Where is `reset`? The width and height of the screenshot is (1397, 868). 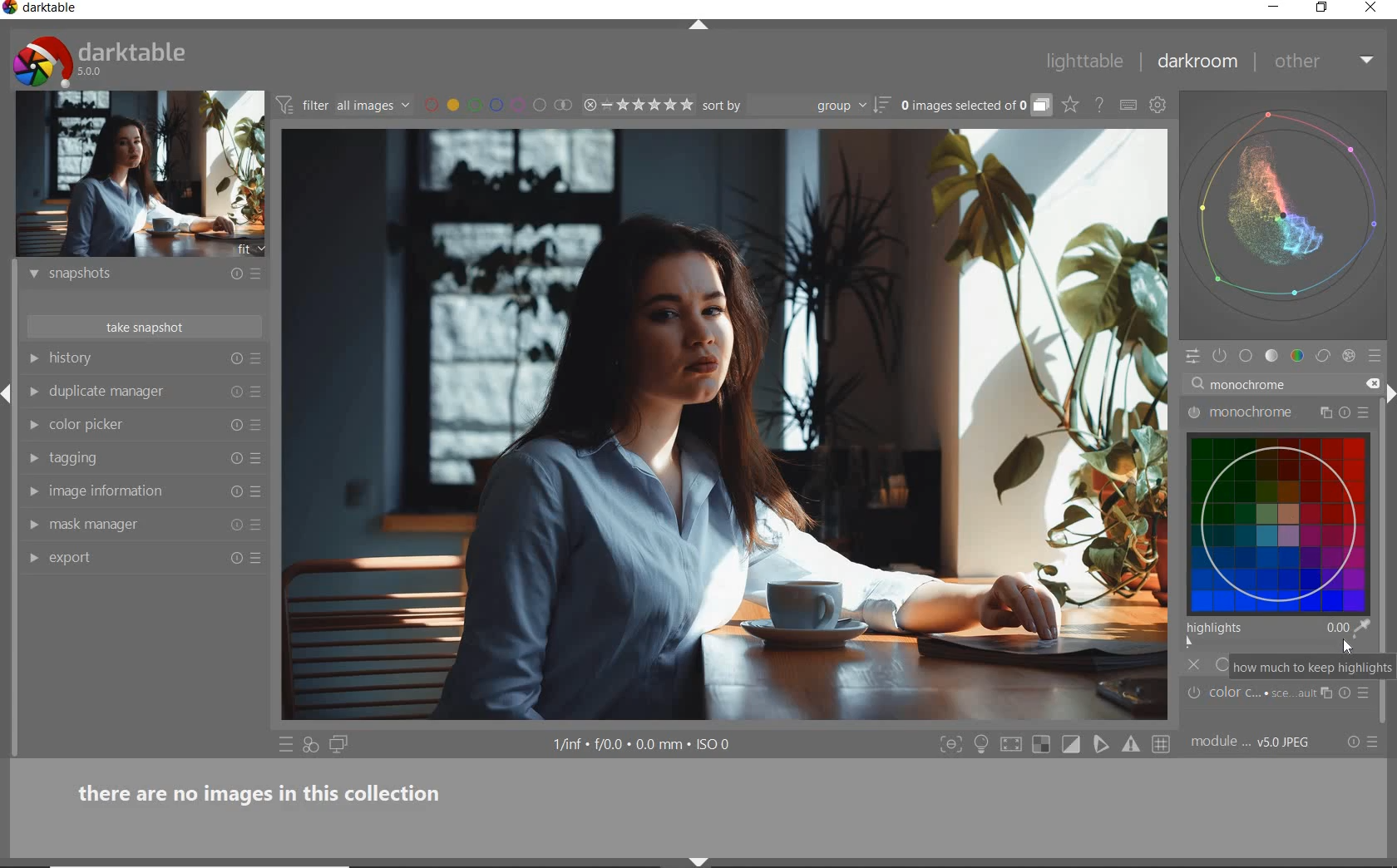 reset is located at coordinates (236, 423).